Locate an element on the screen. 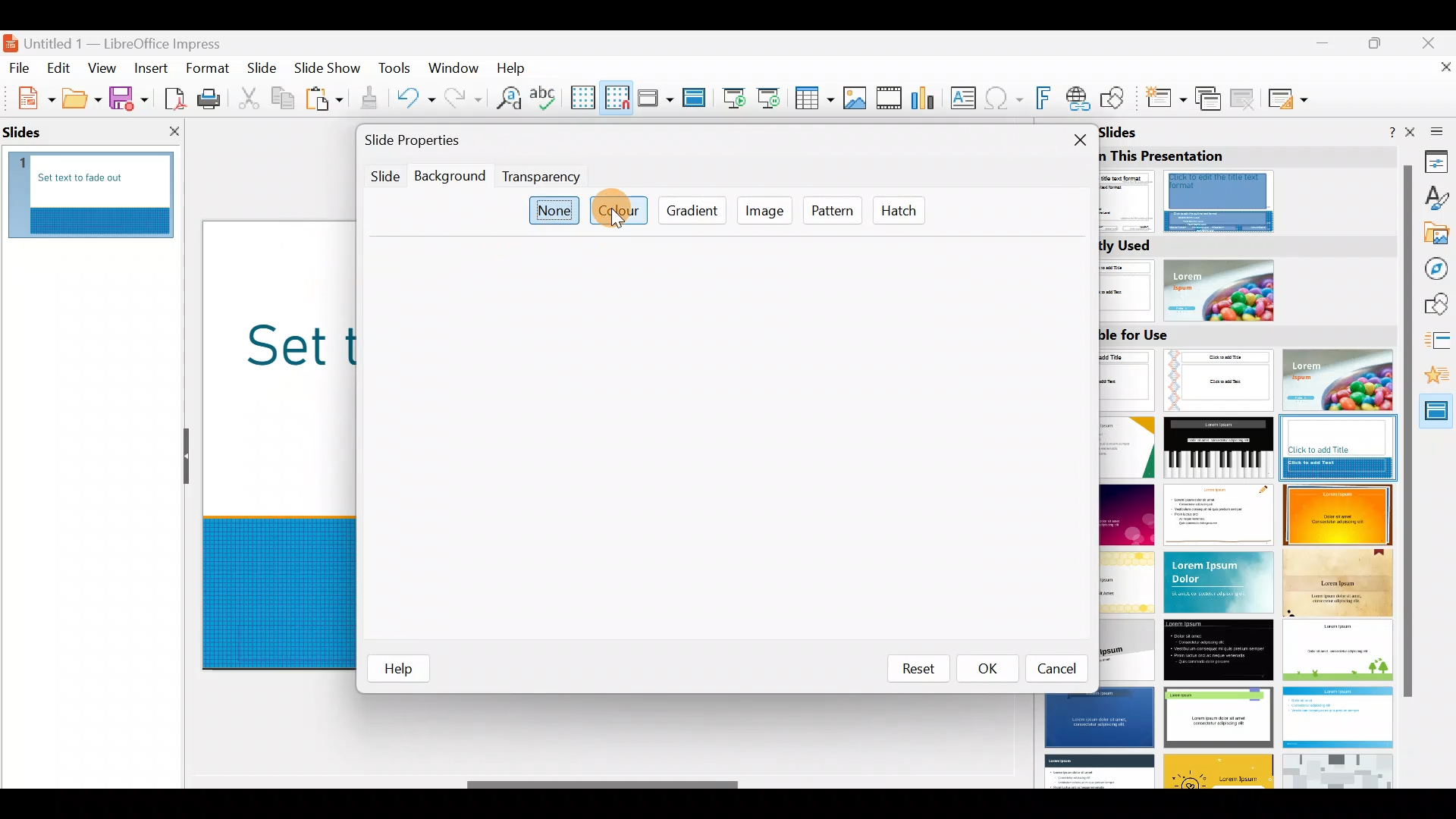 The image size is (1456, 819). Edit is located at coordinates (61, 68).